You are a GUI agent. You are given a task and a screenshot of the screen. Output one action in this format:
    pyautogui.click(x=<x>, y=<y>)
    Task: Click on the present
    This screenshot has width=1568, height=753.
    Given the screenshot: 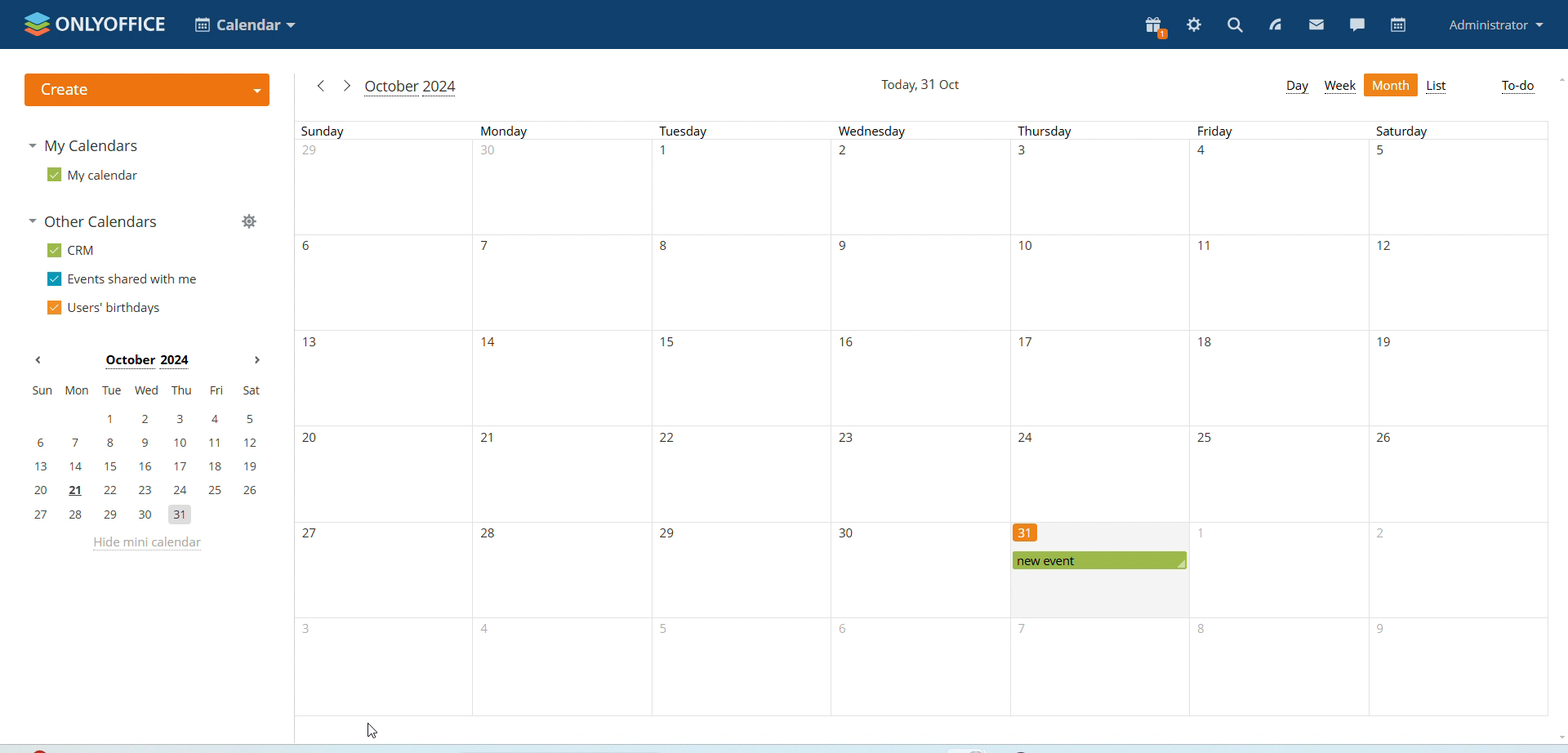 What is the action you would take?
    pyautogui.click(x=1156, y=28)
    